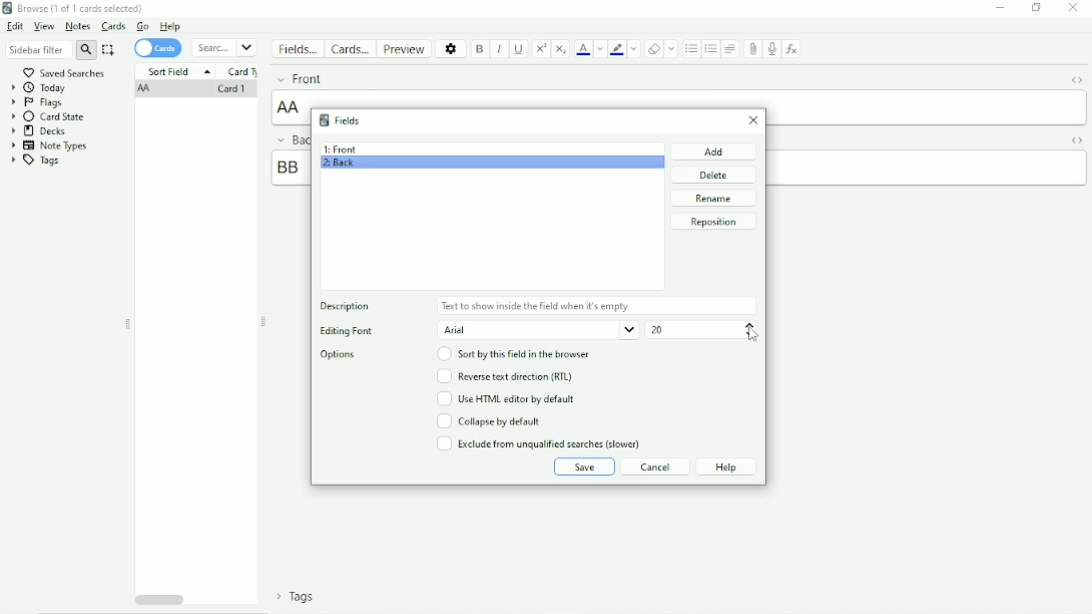  What do you see at coordinates (691, 49) in the screenshot?
I see `Unordered list` at bounding box center [691, 49].